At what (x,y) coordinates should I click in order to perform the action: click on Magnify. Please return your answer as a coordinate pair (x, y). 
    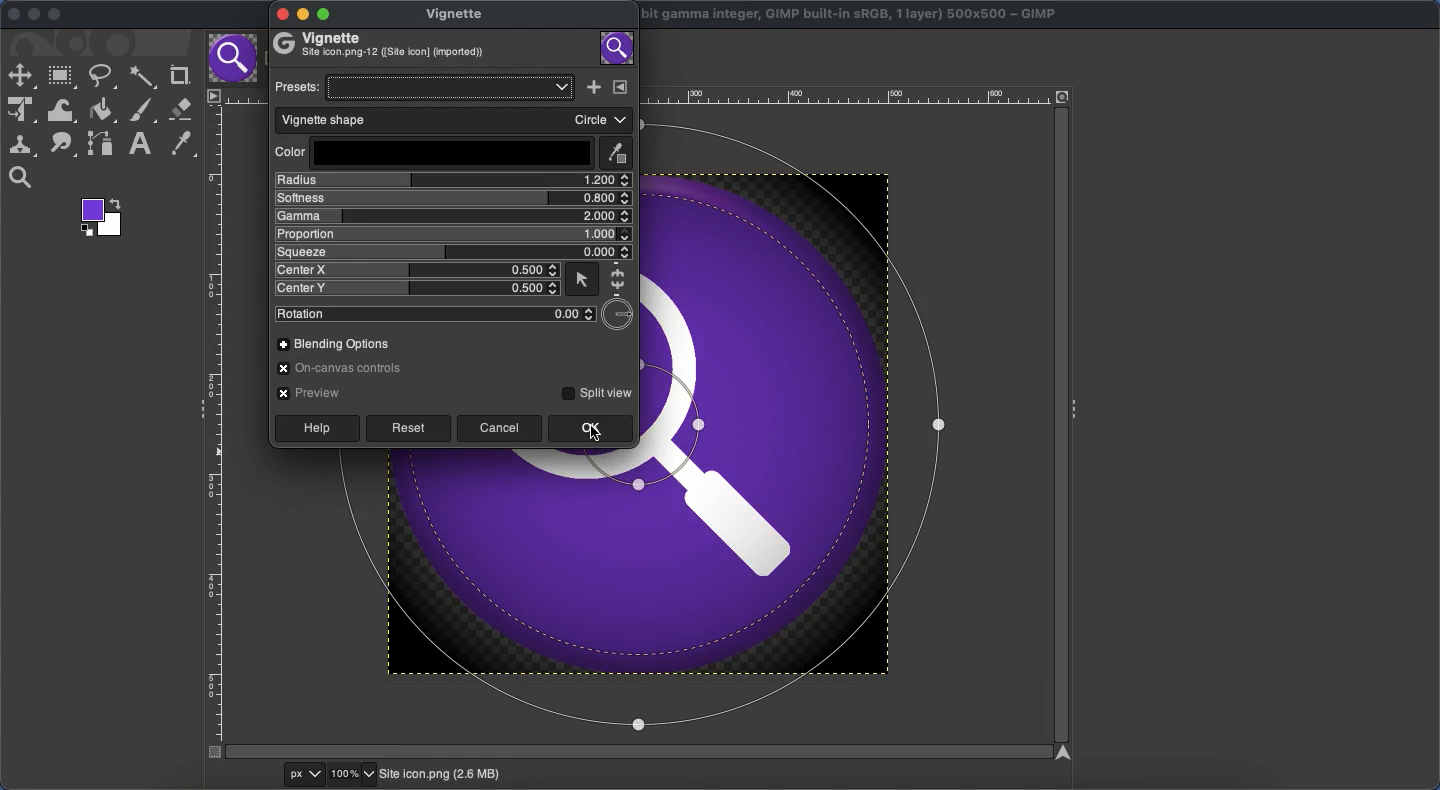
    Looking at the image, I should click on (21, 178).